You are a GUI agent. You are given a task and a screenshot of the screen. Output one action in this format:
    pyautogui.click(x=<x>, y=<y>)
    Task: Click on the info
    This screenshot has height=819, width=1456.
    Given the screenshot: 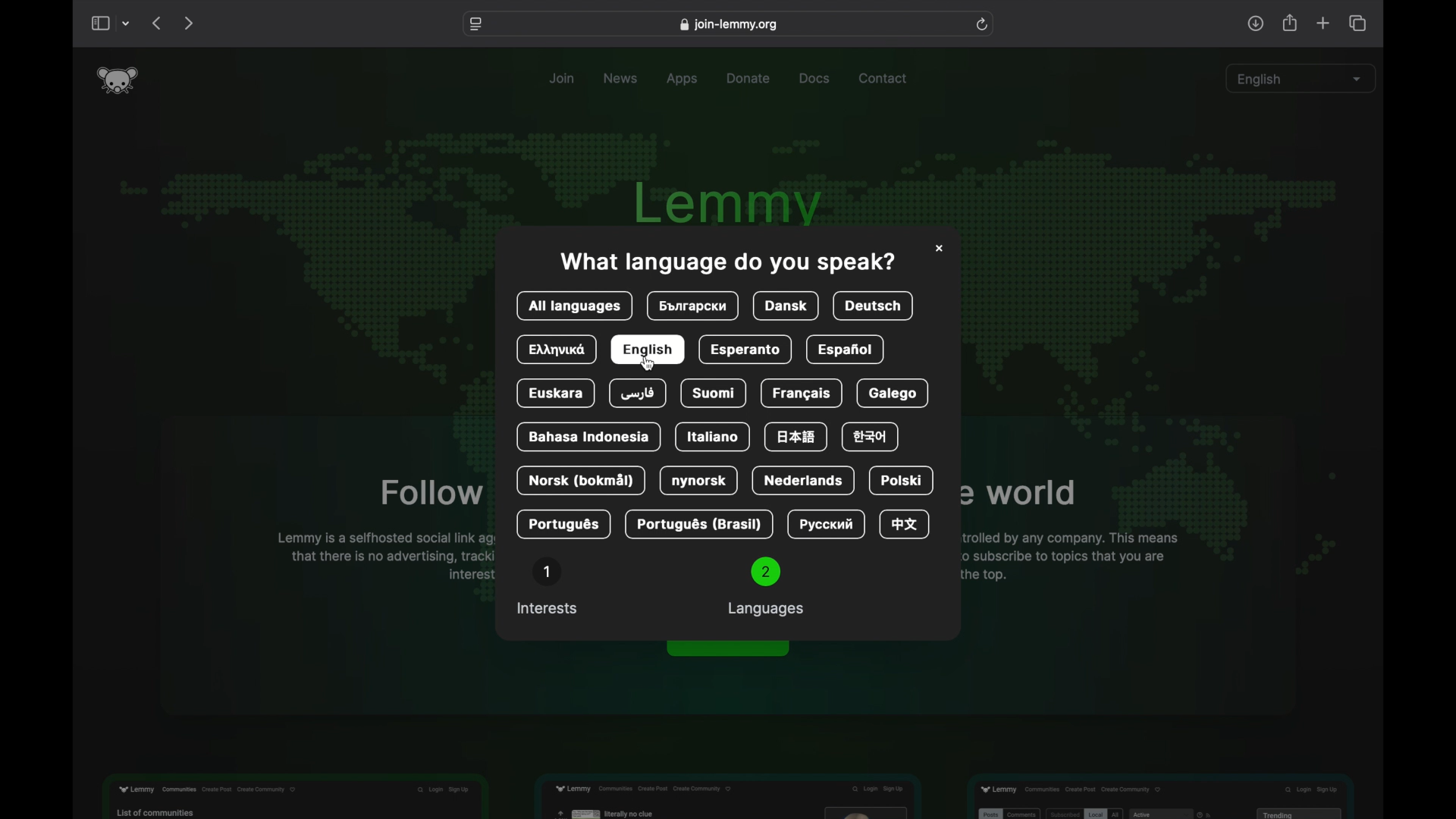 What is the action you would take?
    pyautogui.click(x=723, y=262)
    